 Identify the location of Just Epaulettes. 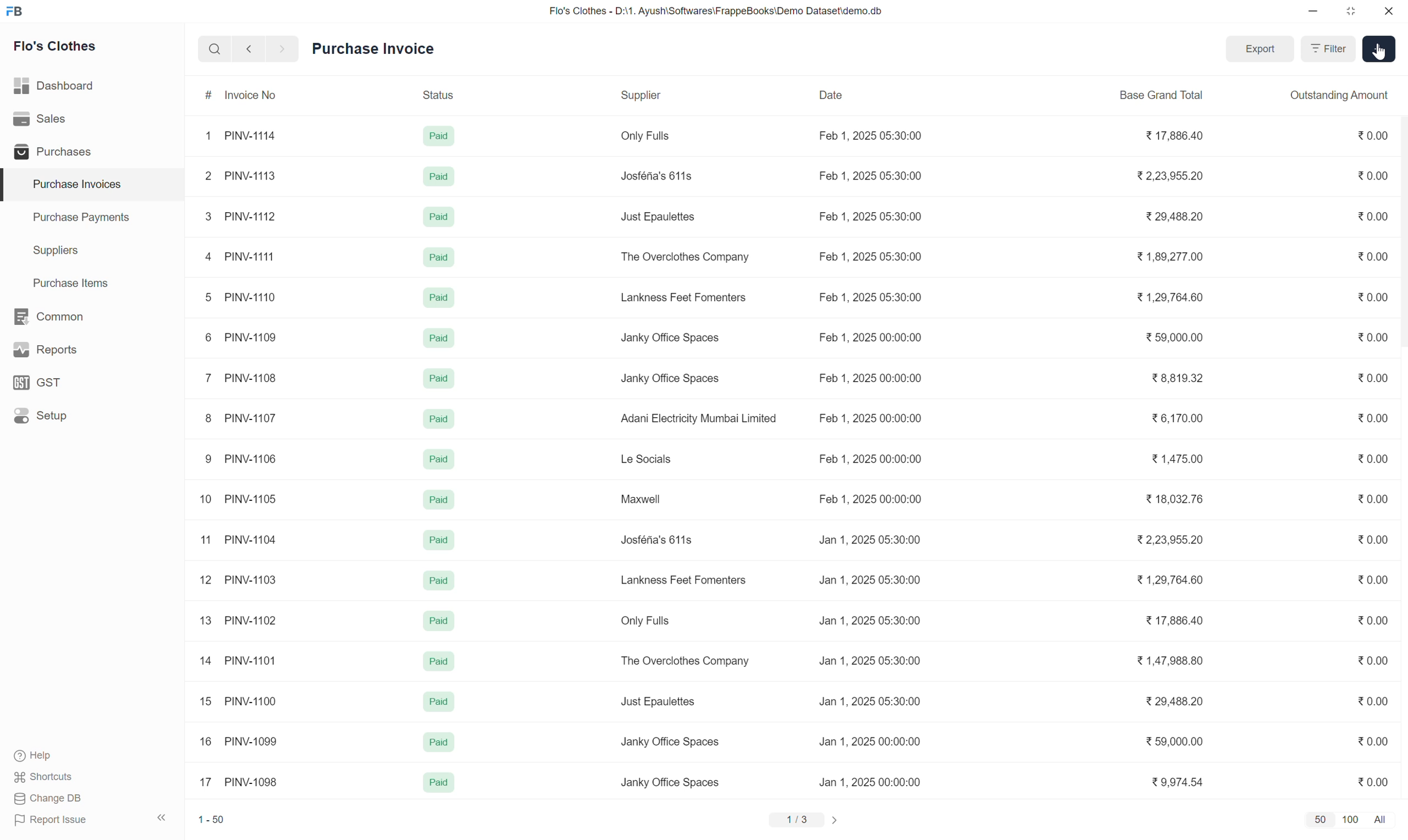
(660, 702).